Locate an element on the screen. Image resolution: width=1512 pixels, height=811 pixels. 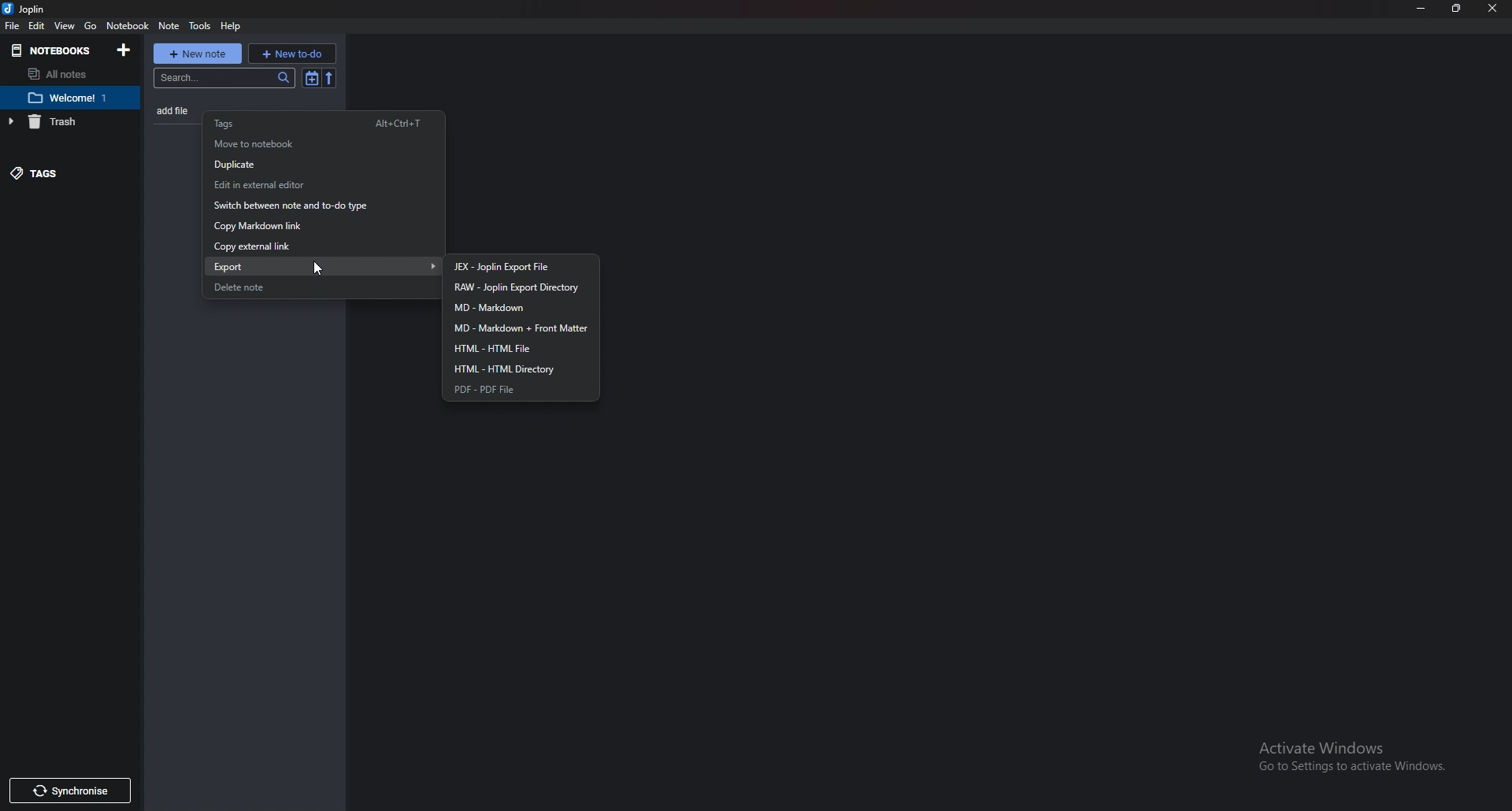
joplin is located at coordinates (29, 10).